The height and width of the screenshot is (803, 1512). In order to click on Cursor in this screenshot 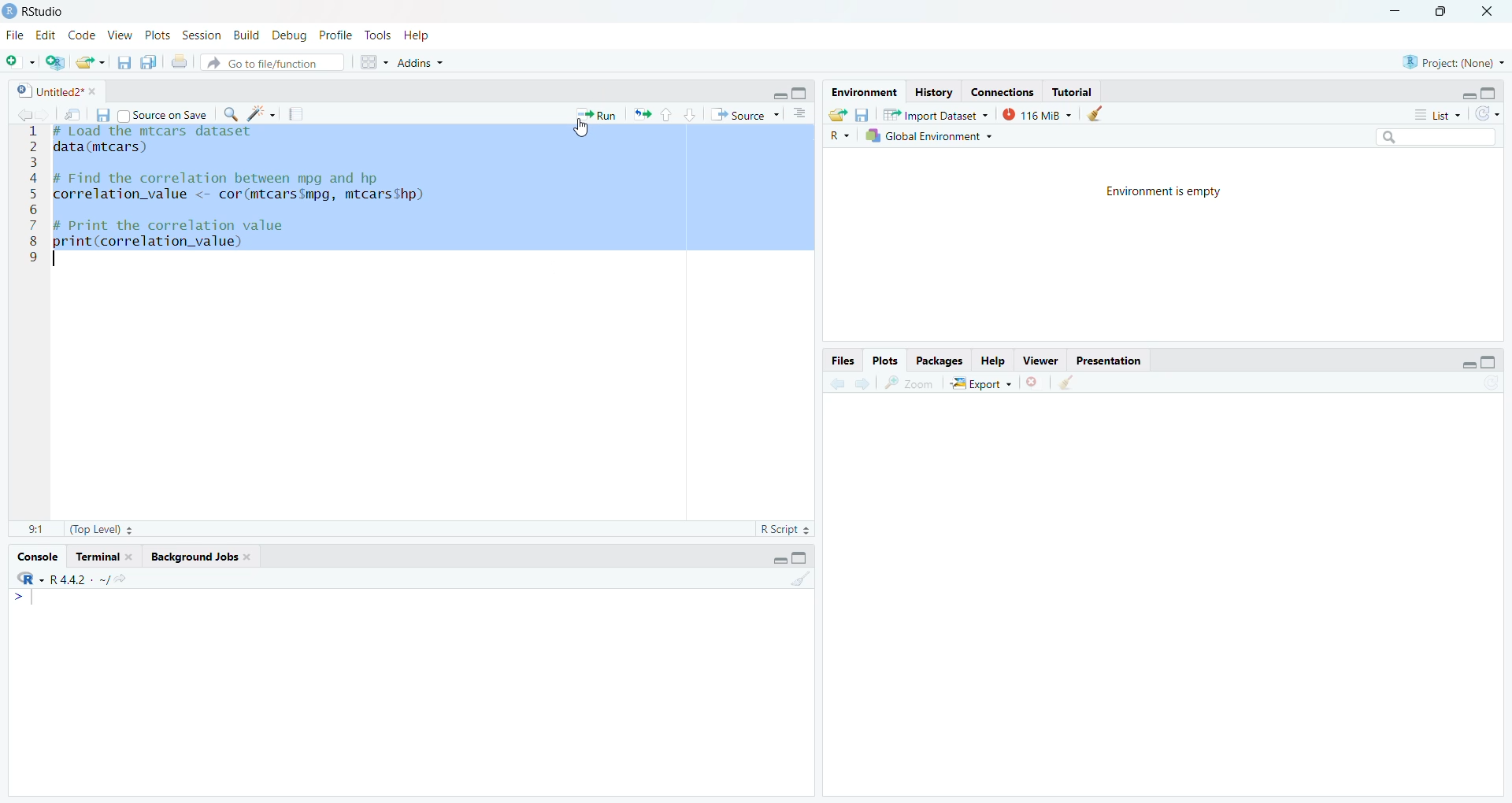, I will do `click(584, 132)`.